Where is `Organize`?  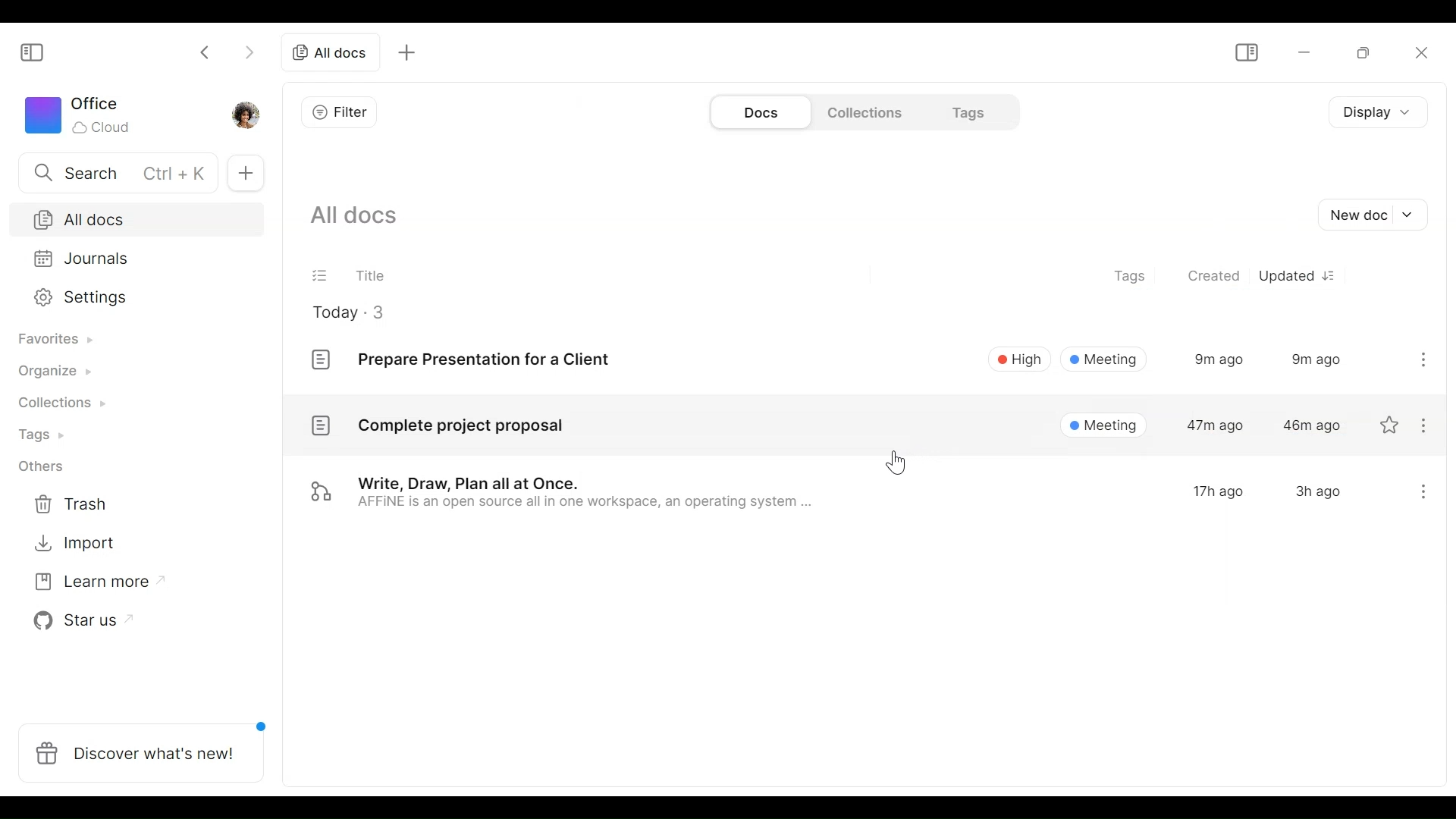 Organize is located at coordinates (58, 374).